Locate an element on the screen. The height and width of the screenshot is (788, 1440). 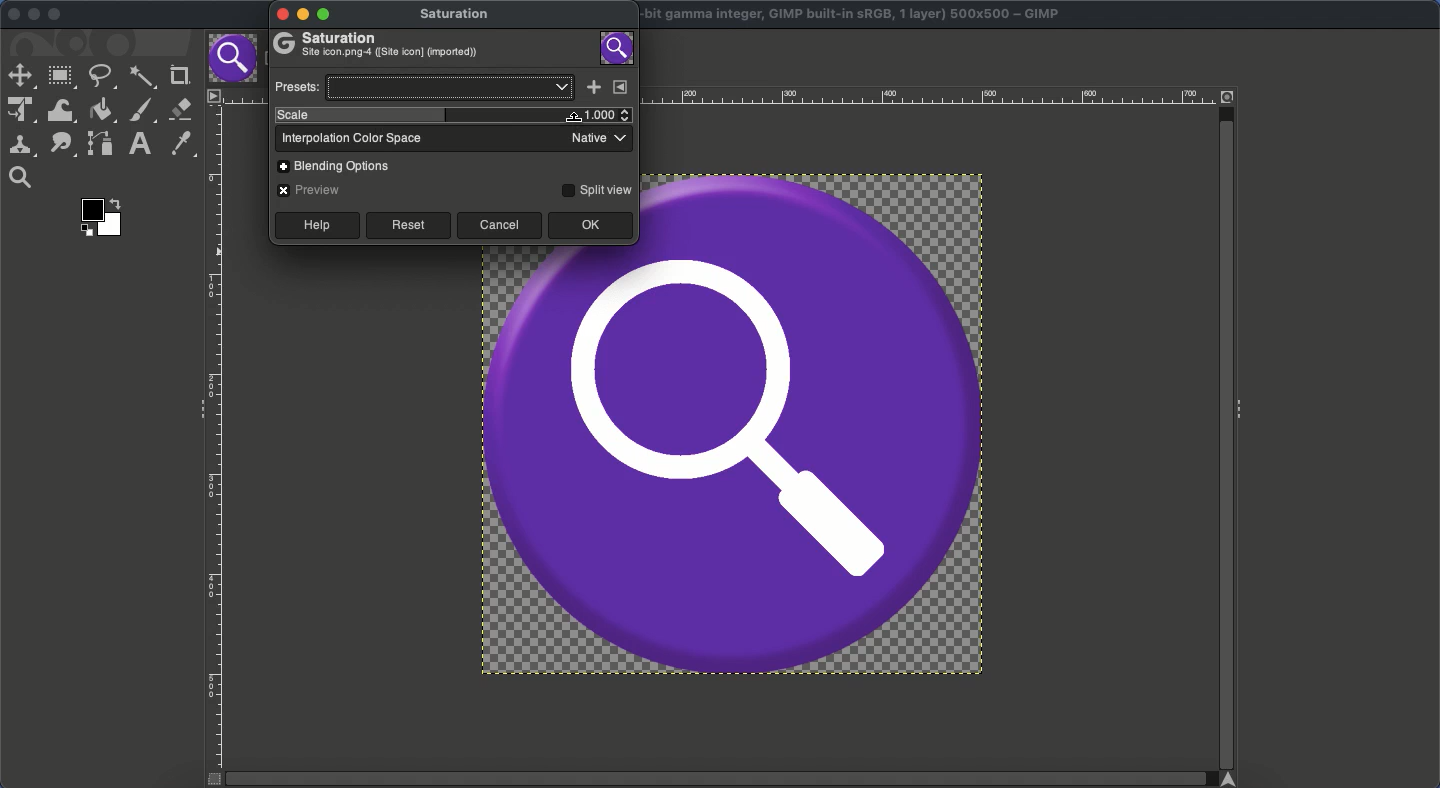
Smudge tool is located at coordinates (61, 145).